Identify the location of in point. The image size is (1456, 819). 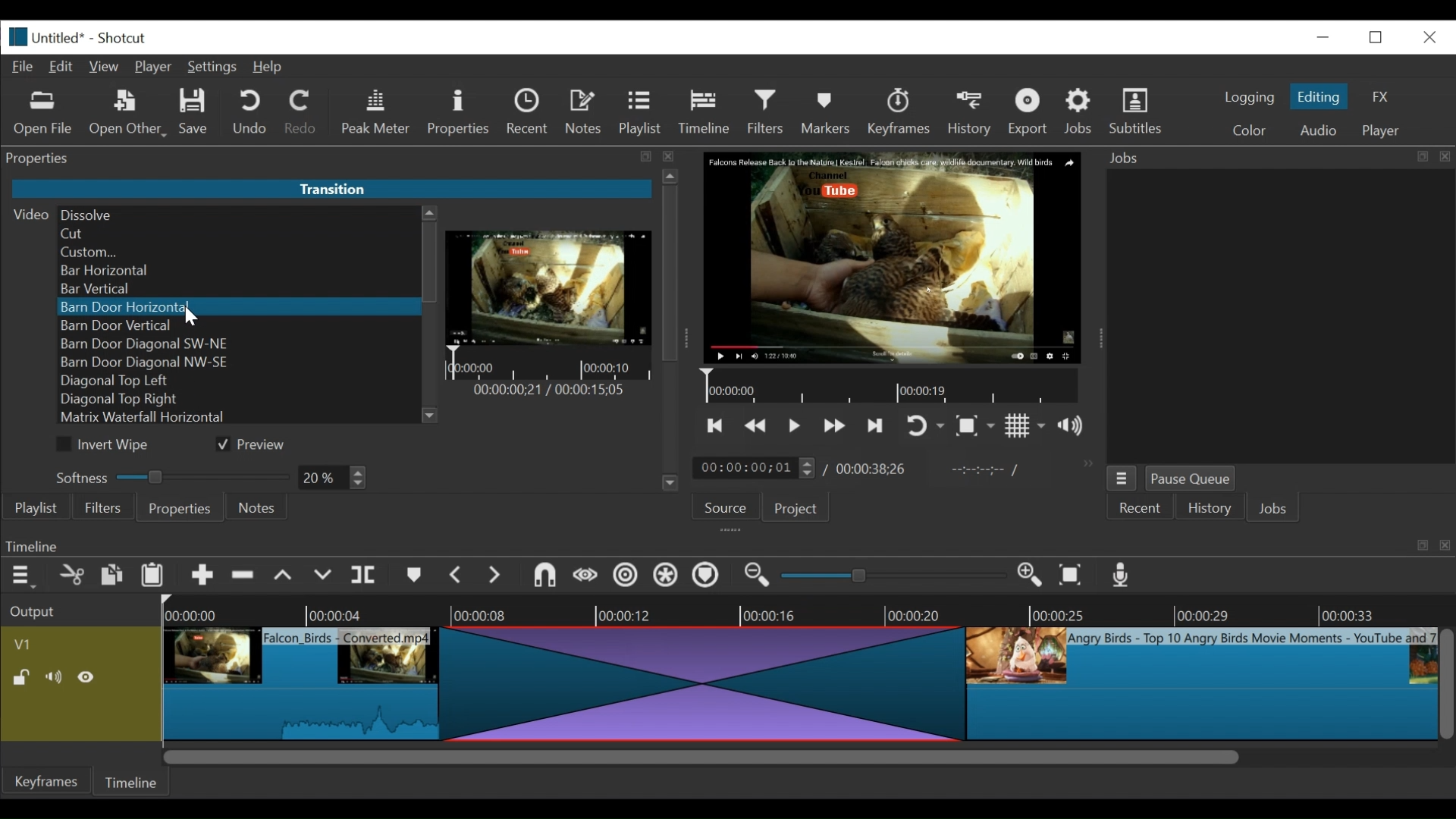
(981, 472).